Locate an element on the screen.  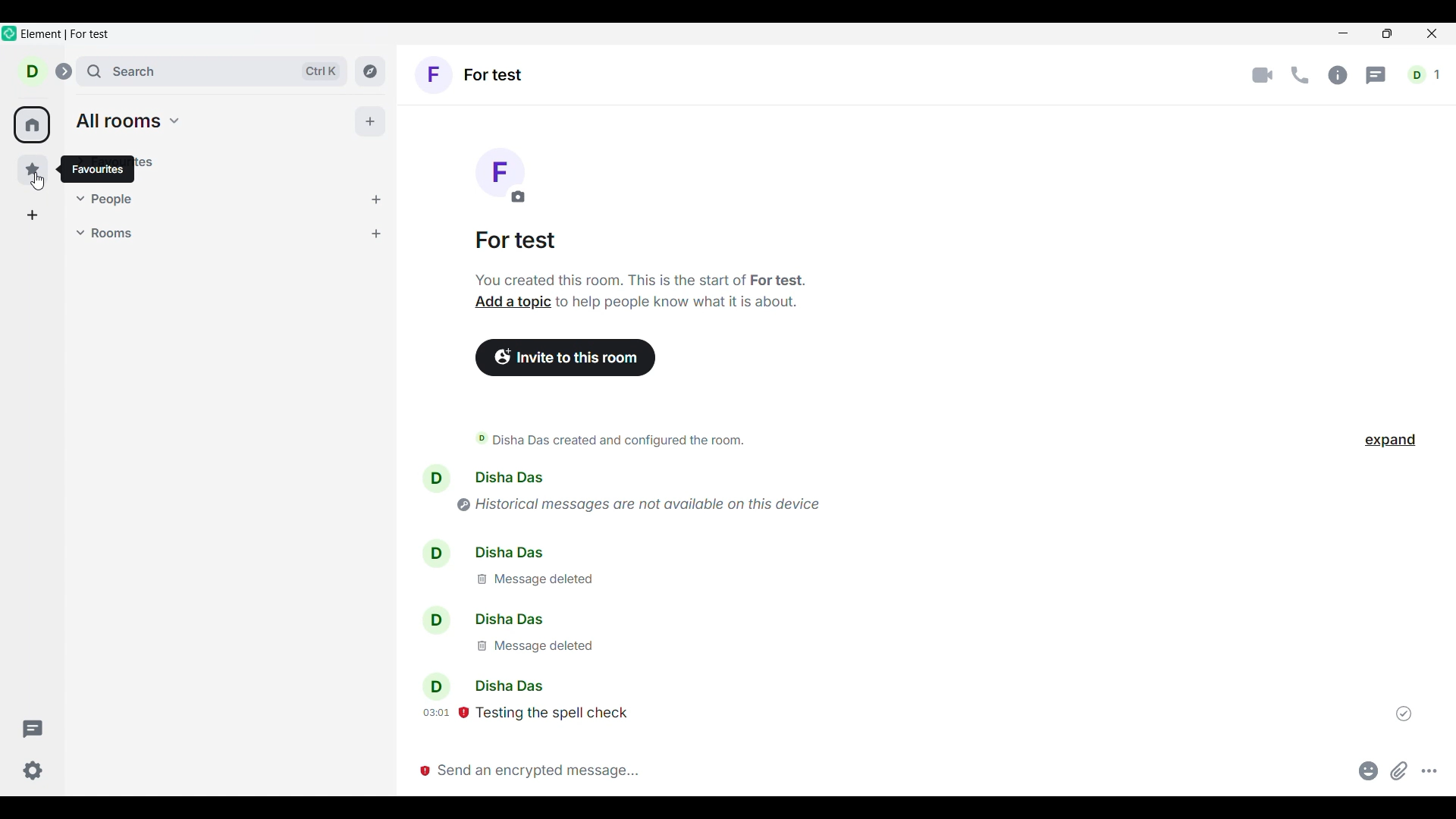
Add room is located at coordinates (376, 234).